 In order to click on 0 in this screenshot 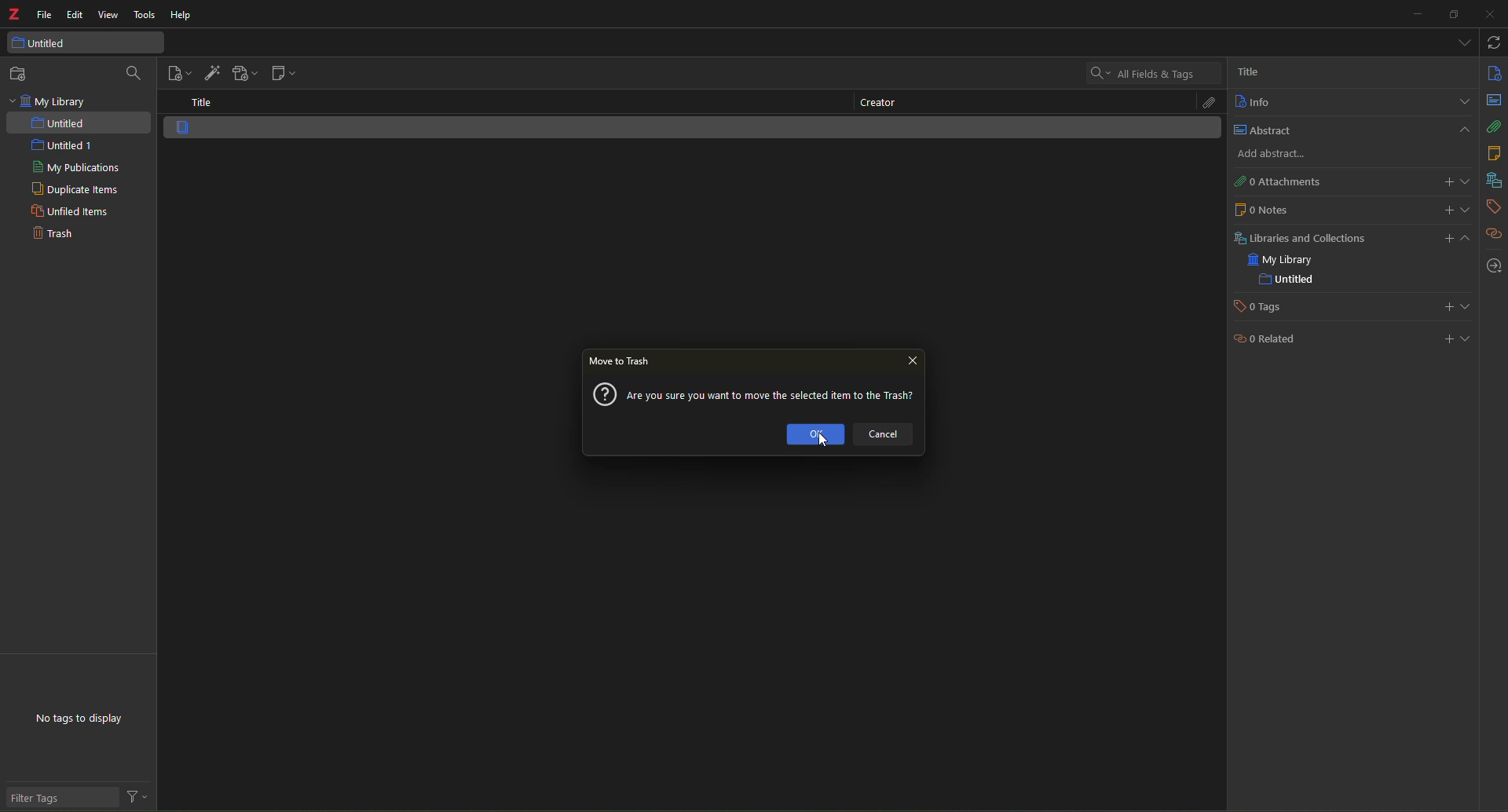, I will do `click(1275, 181)`.